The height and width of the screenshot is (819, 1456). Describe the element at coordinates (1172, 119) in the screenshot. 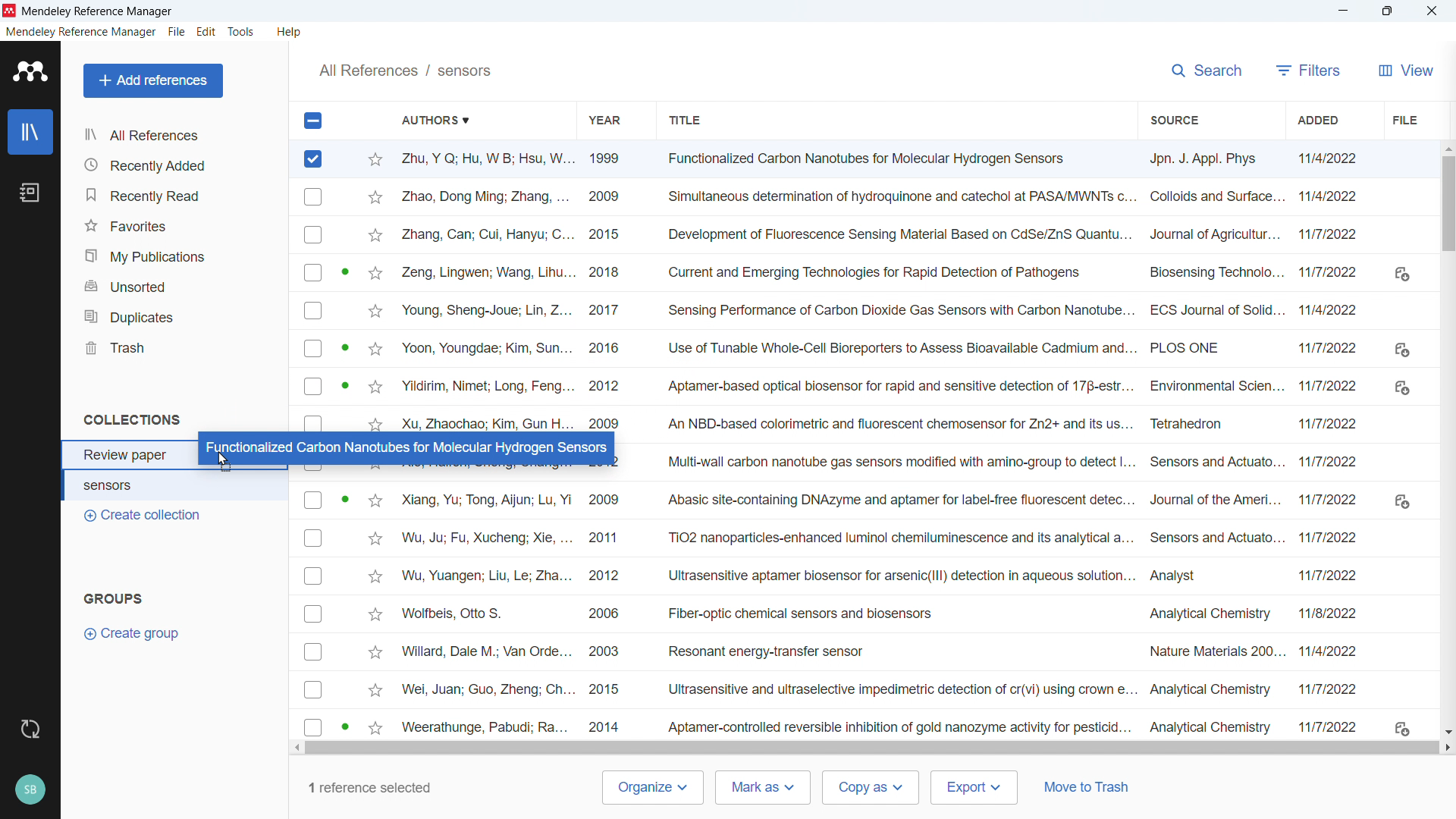

I see `Sort by sources ` at that location.